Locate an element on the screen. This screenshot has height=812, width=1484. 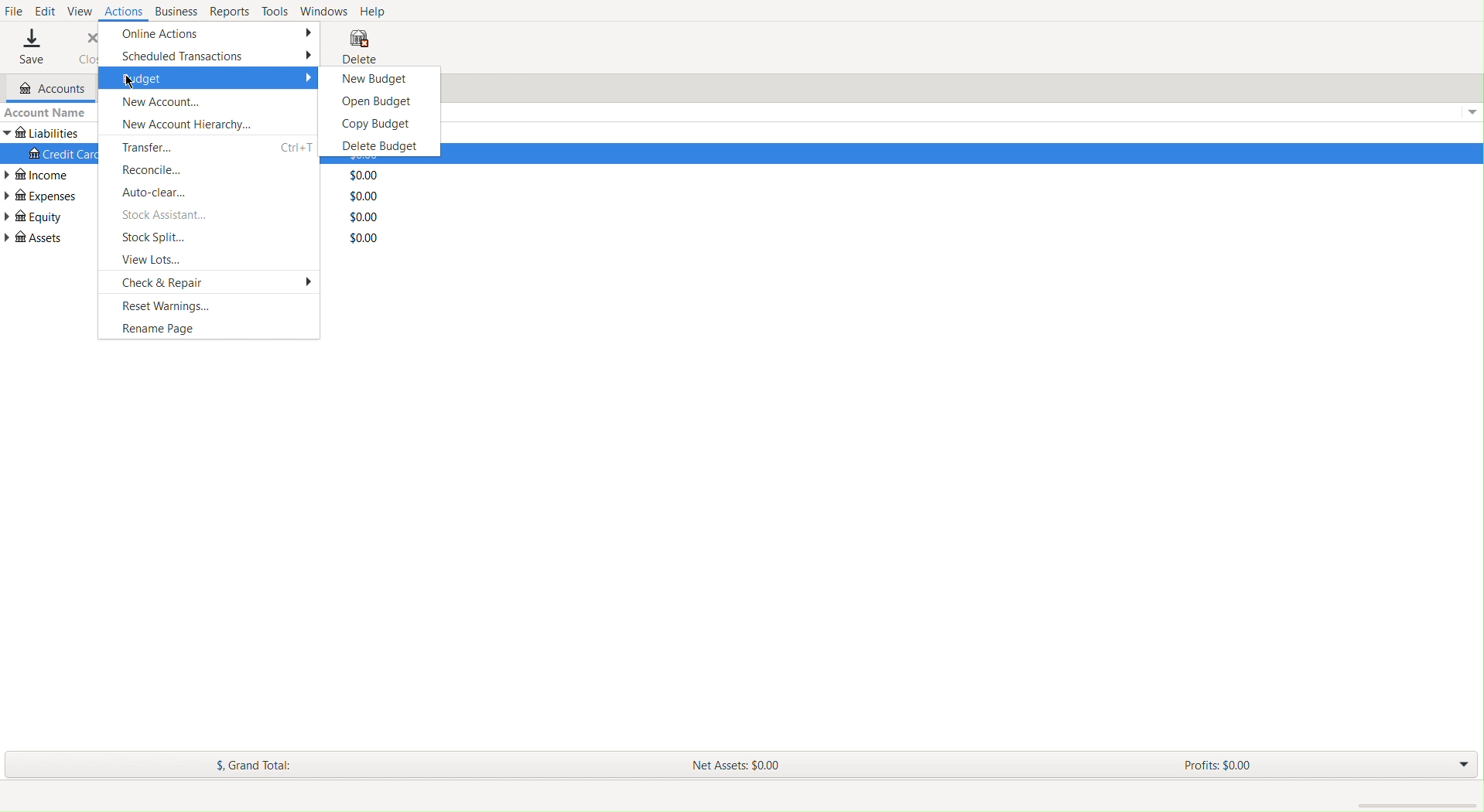
Check and Repair is located at coordinates (215, 282).